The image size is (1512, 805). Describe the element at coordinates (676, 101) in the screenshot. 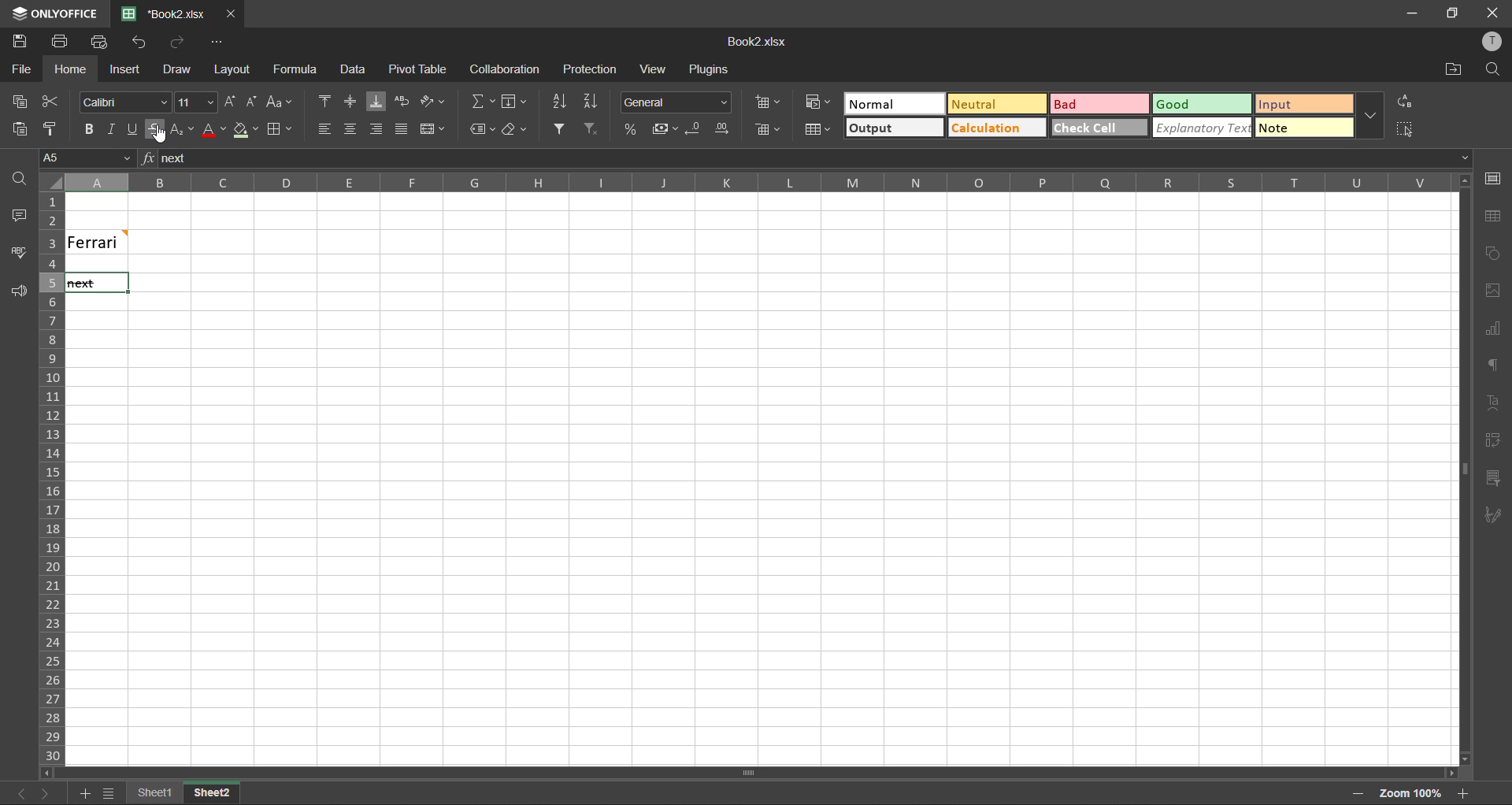

I see `number format` at that location.